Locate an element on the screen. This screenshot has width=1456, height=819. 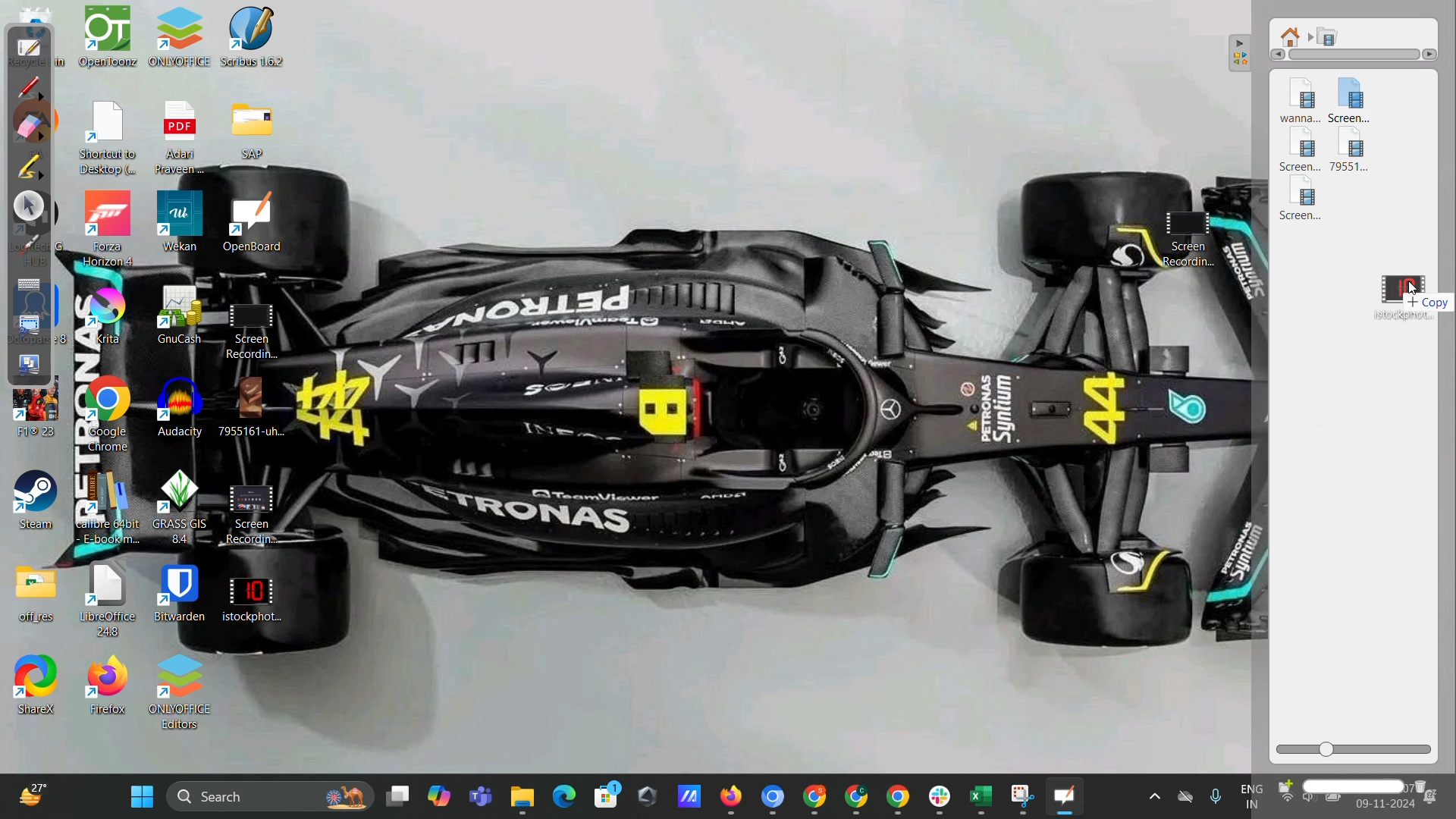
Screen Recording is located at coordinates (246, 513).